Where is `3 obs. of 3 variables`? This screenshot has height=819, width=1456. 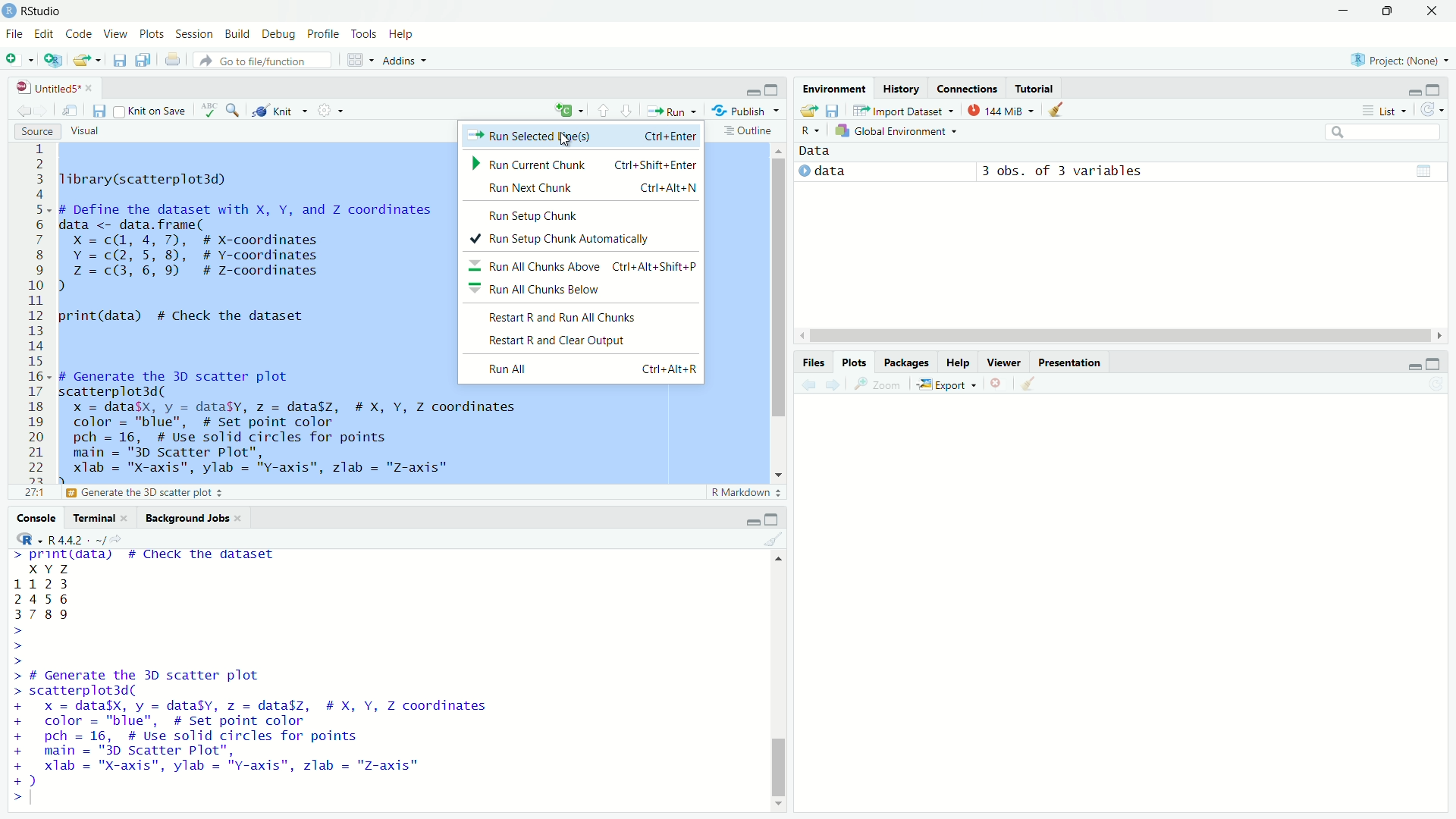
3 obs. of 3 variables is located at coordinates (1074, 171).